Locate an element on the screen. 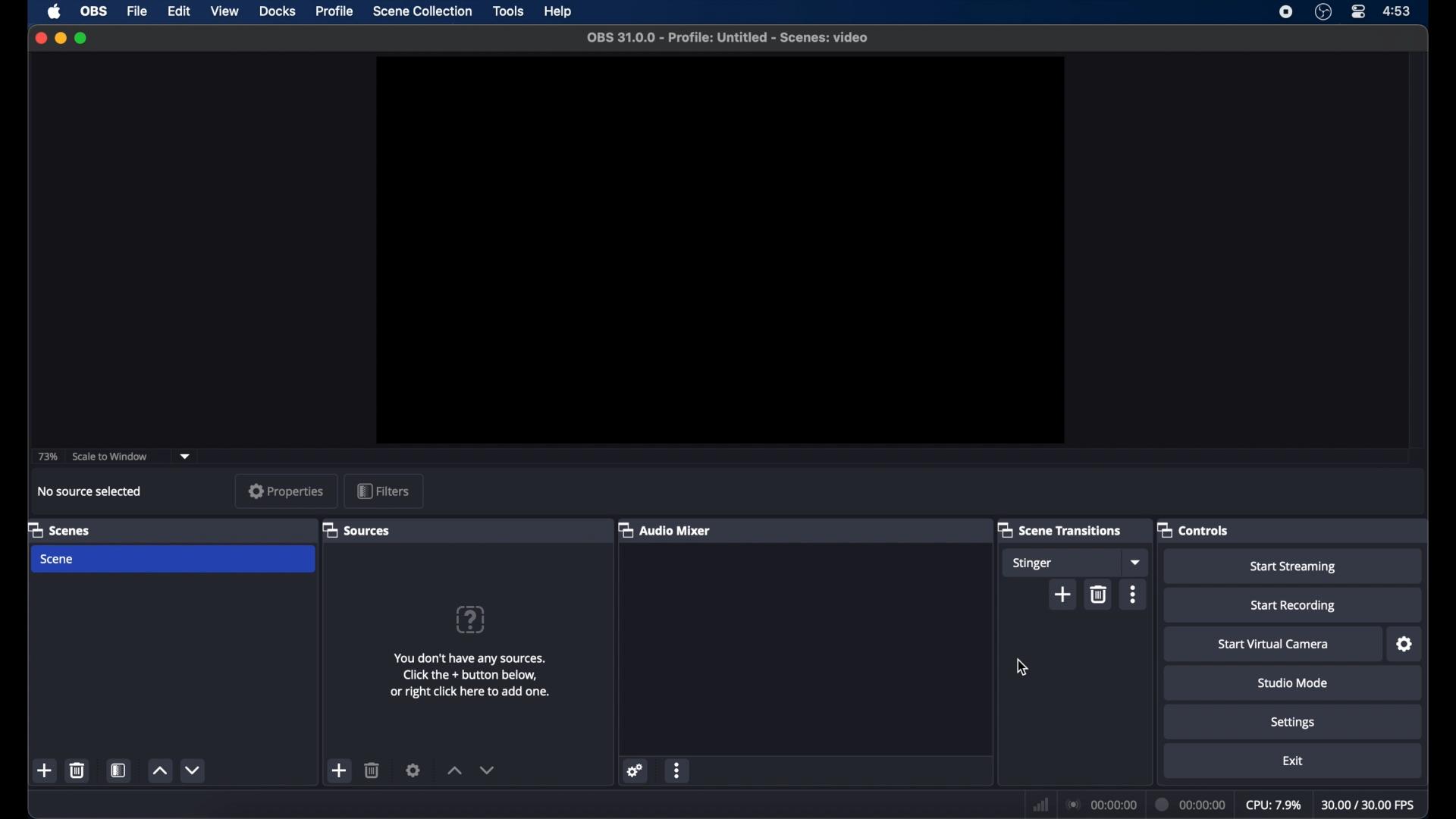 Image resolution: width=1456 pixels, height=819 pixels. question mark is located at coordinates (472, 620).